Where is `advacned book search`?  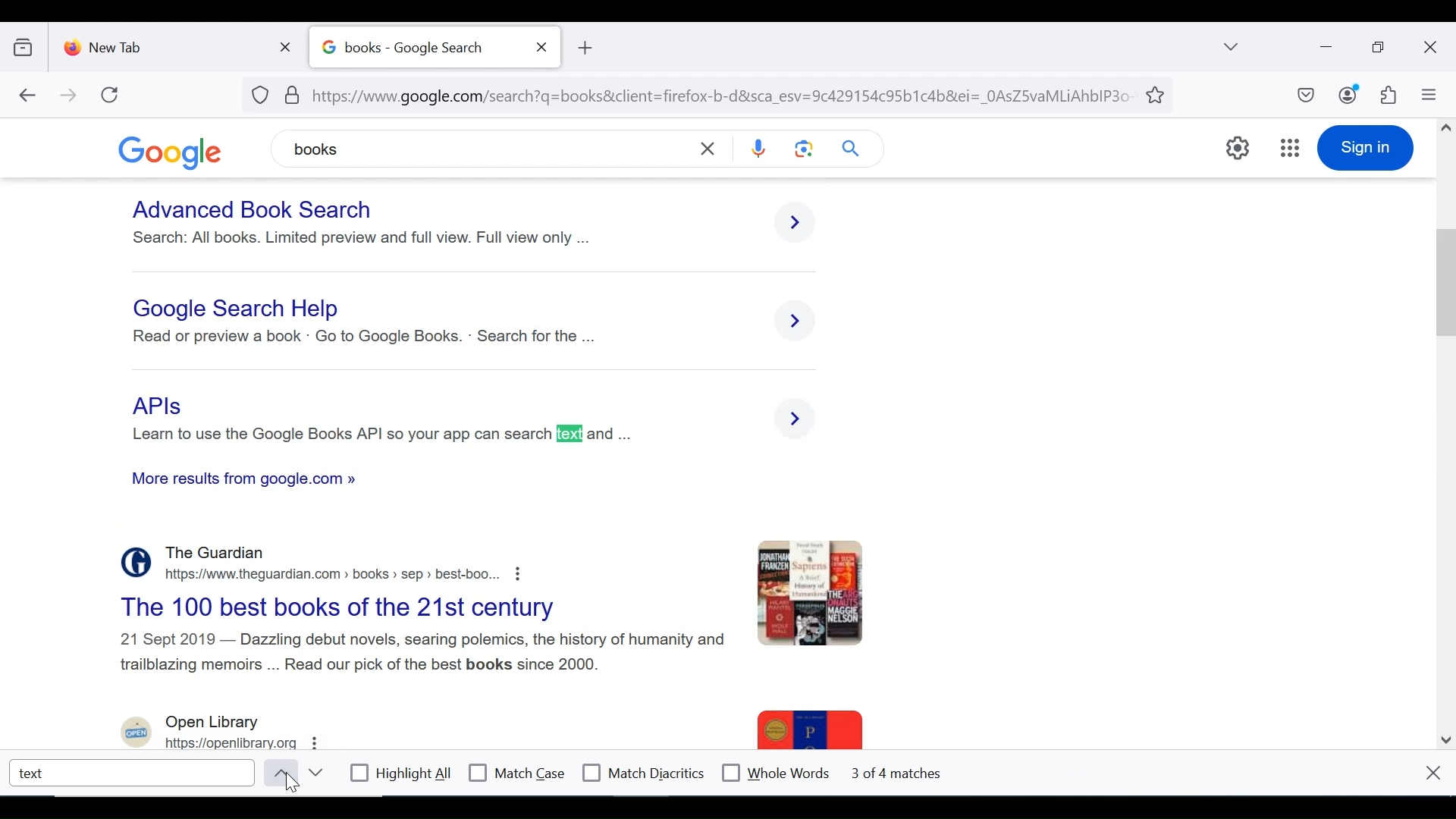
advacned book search is located at coordinates (253, 210).